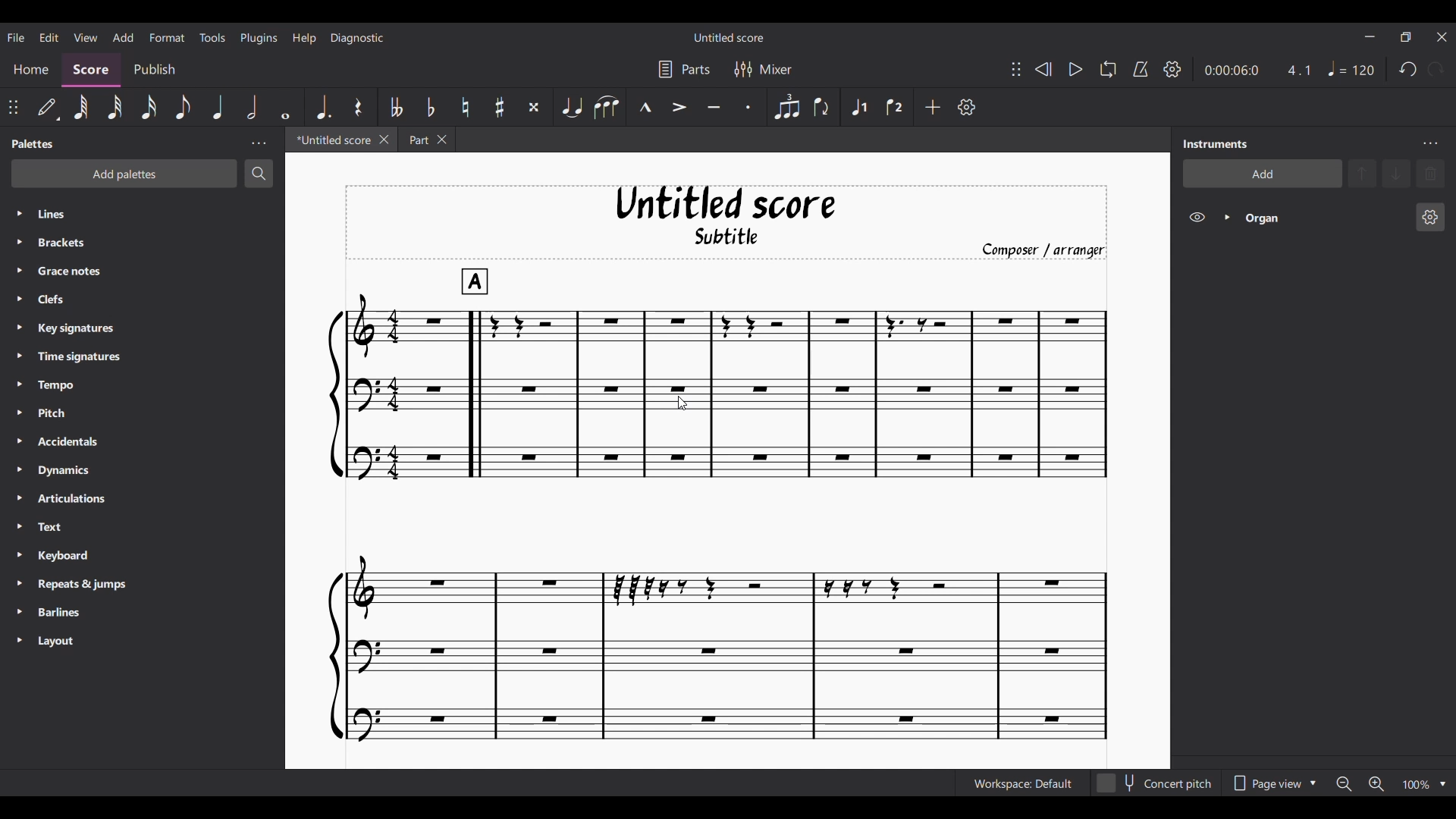 This screenshot has width=1456, height=819. What do you see at coordinates (48, 107) in the screenshot?
I see `Default` at bounding box center [48, 107].